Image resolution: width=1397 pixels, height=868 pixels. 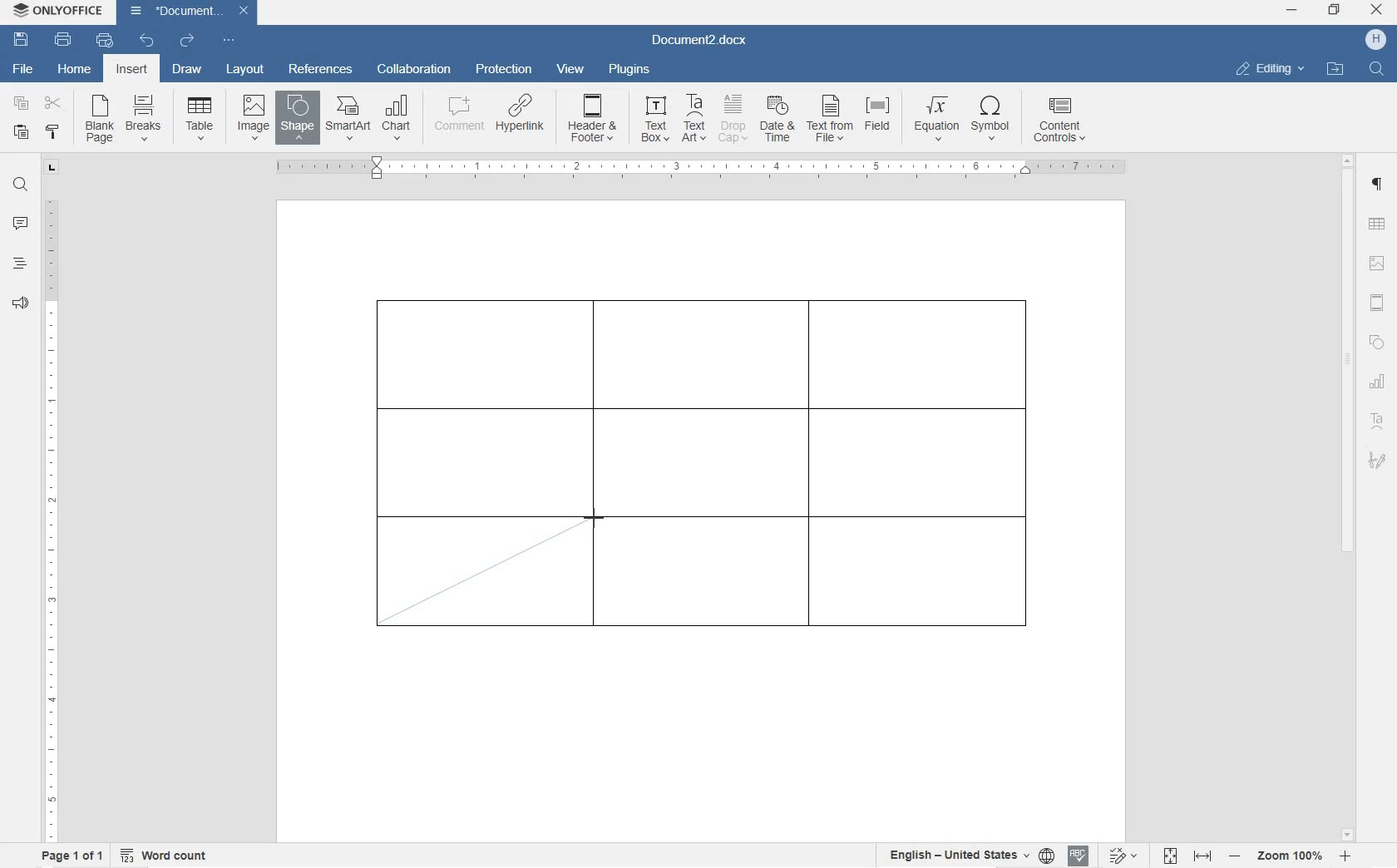 What do you see at coordinates (21, 224) in the screenshot?
I see `comment` at bounding box center [21, 224].